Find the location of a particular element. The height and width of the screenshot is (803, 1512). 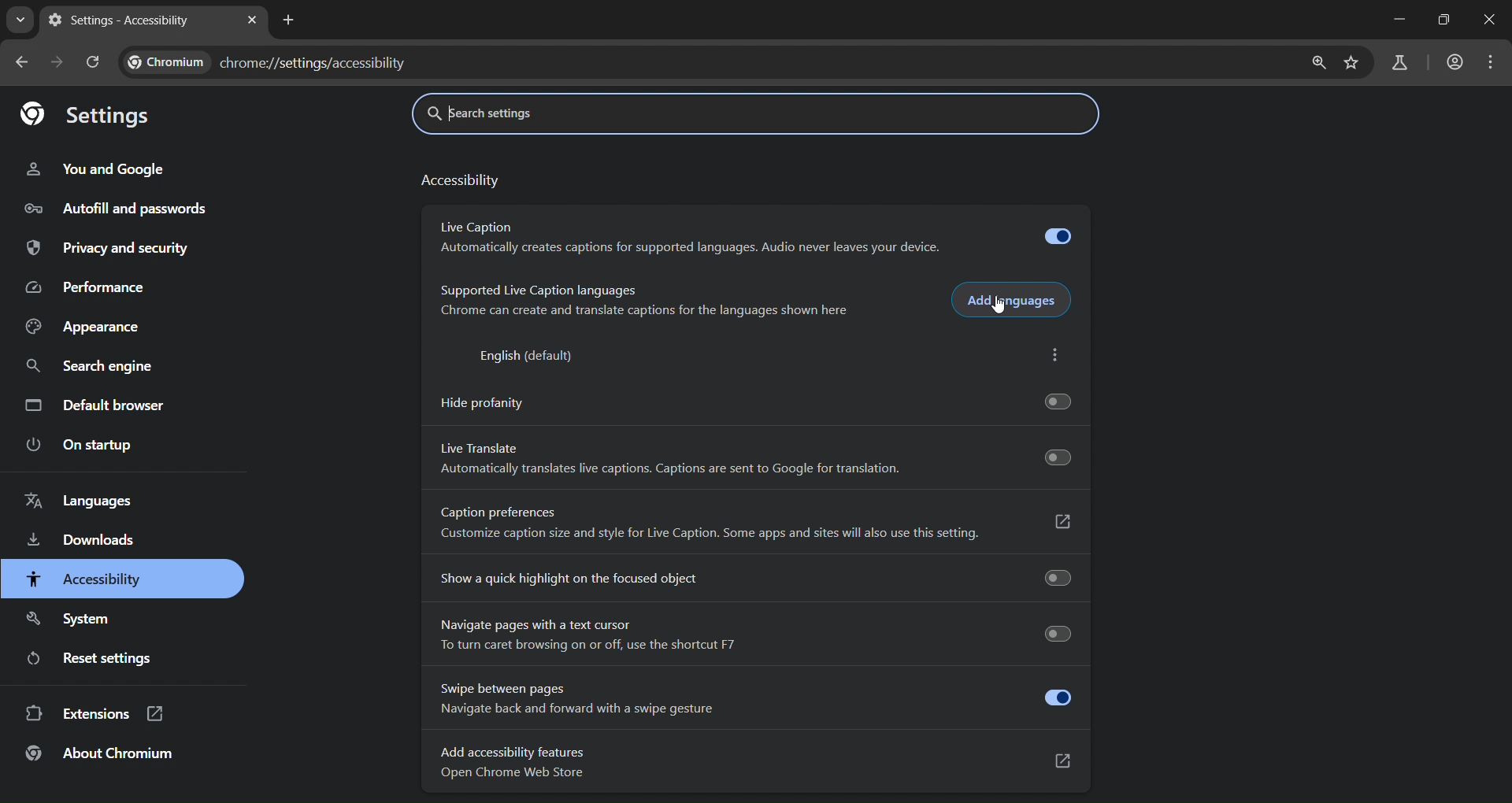

Add accessibility features @
Open Chrome Web Store is located at coordinates (758, 762).